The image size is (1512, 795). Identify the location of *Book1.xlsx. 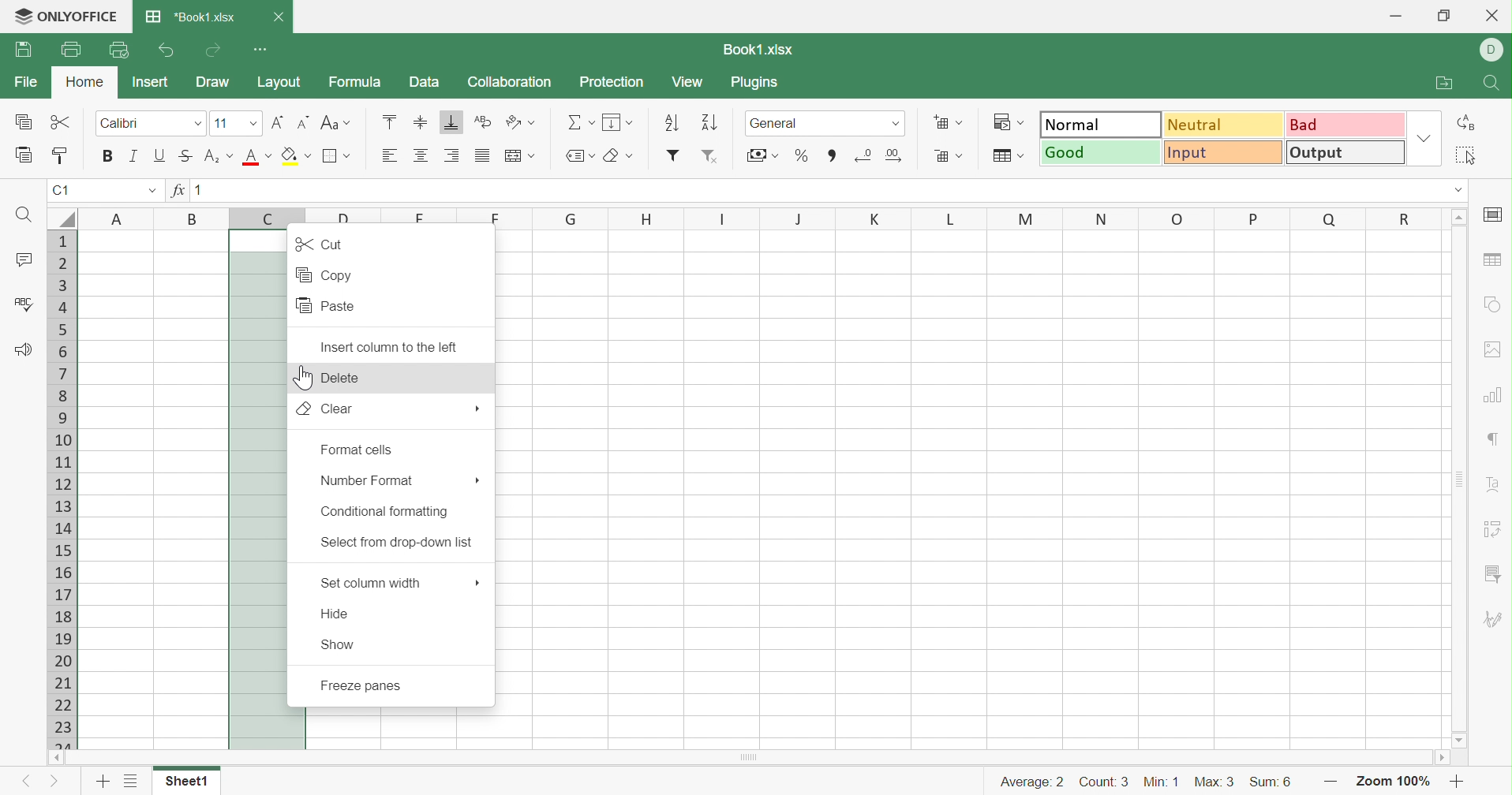
(192, 17).